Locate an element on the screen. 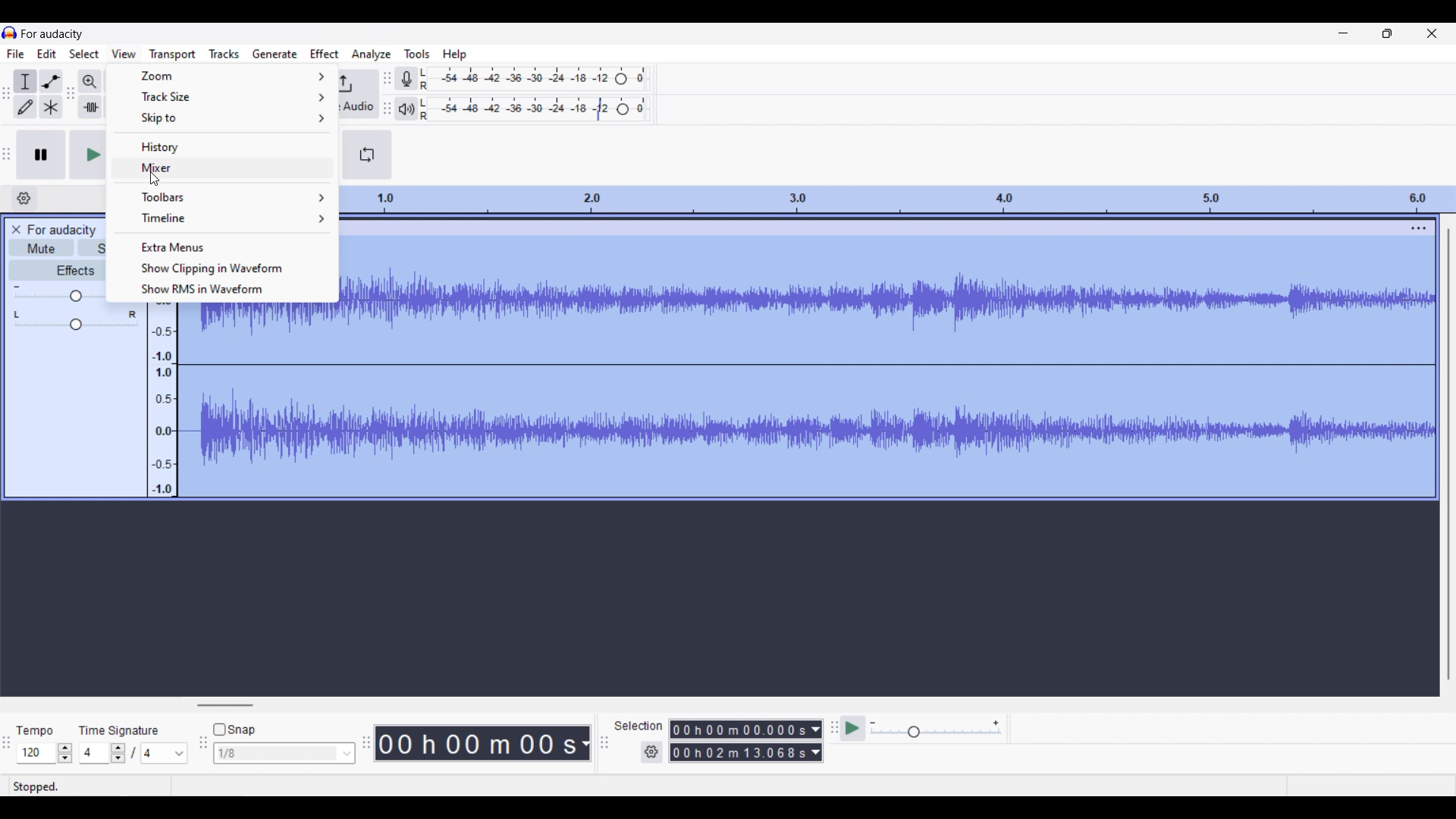 The height and width of the screenshot is (819, 1456). Minimize is located at coordinates (1344, 33).